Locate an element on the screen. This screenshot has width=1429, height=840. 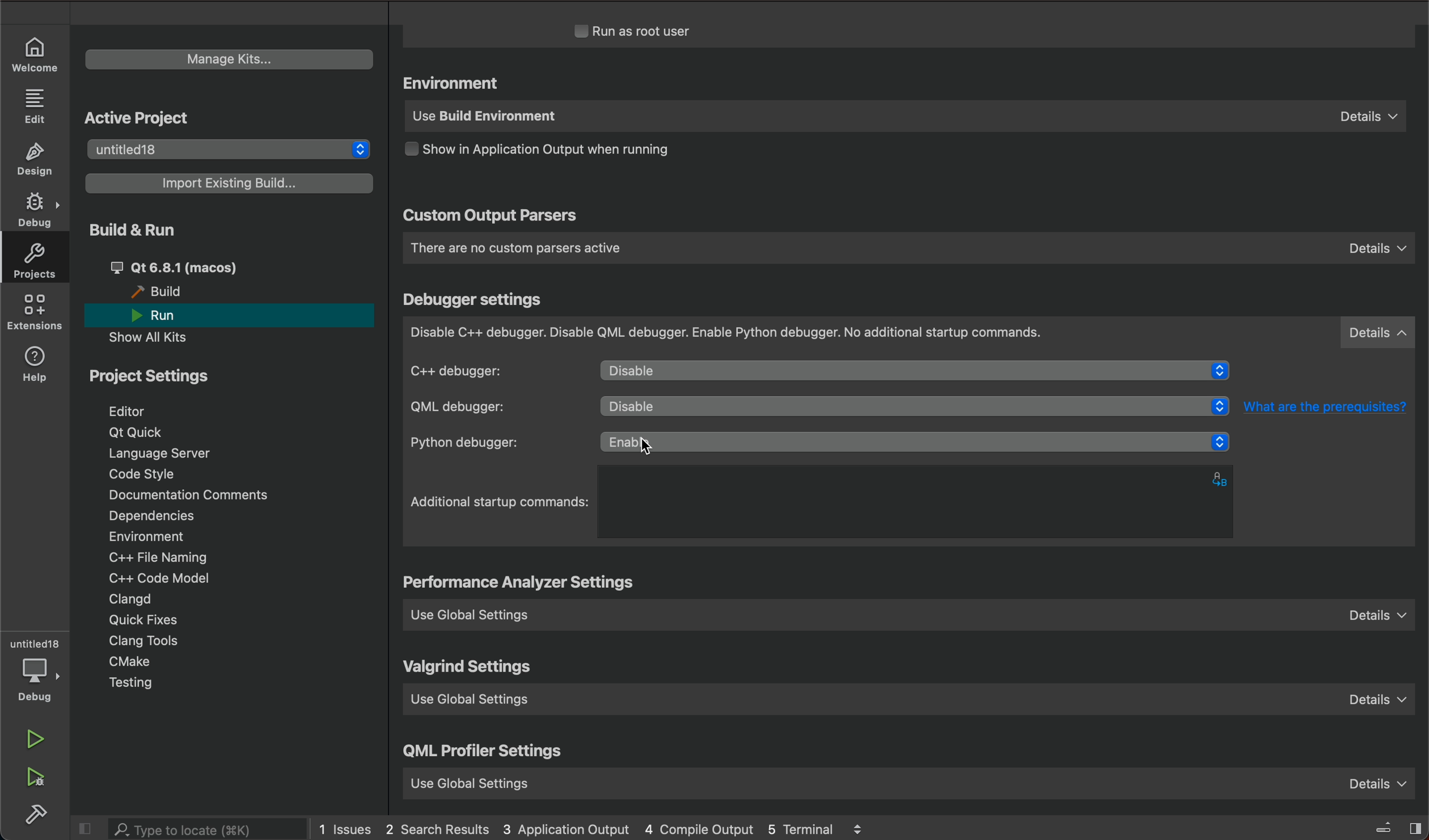
build and run is located at coordinates (130, 229).